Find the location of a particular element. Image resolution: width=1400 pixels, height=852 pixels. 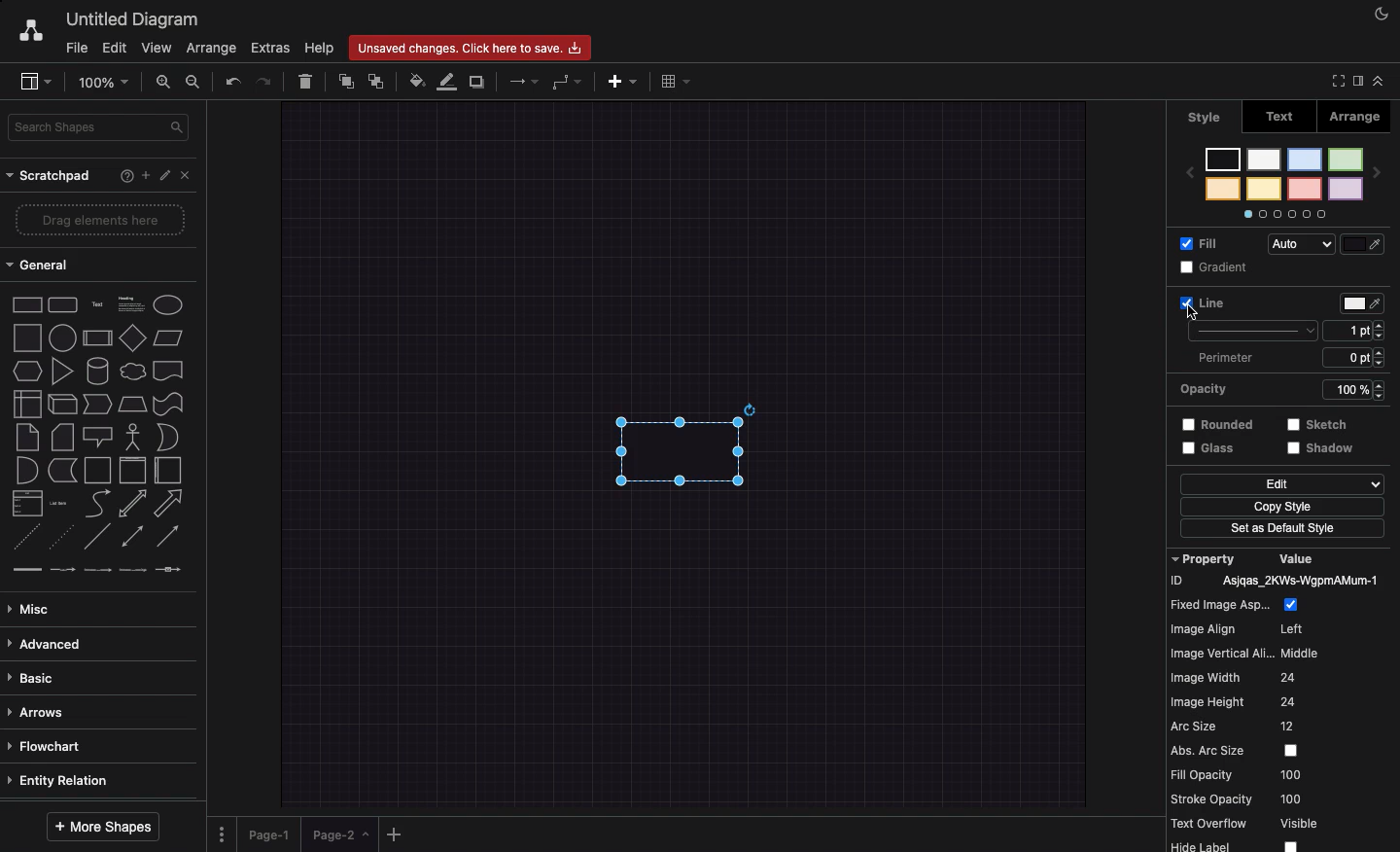

cube is located at coordinates (60, 404).